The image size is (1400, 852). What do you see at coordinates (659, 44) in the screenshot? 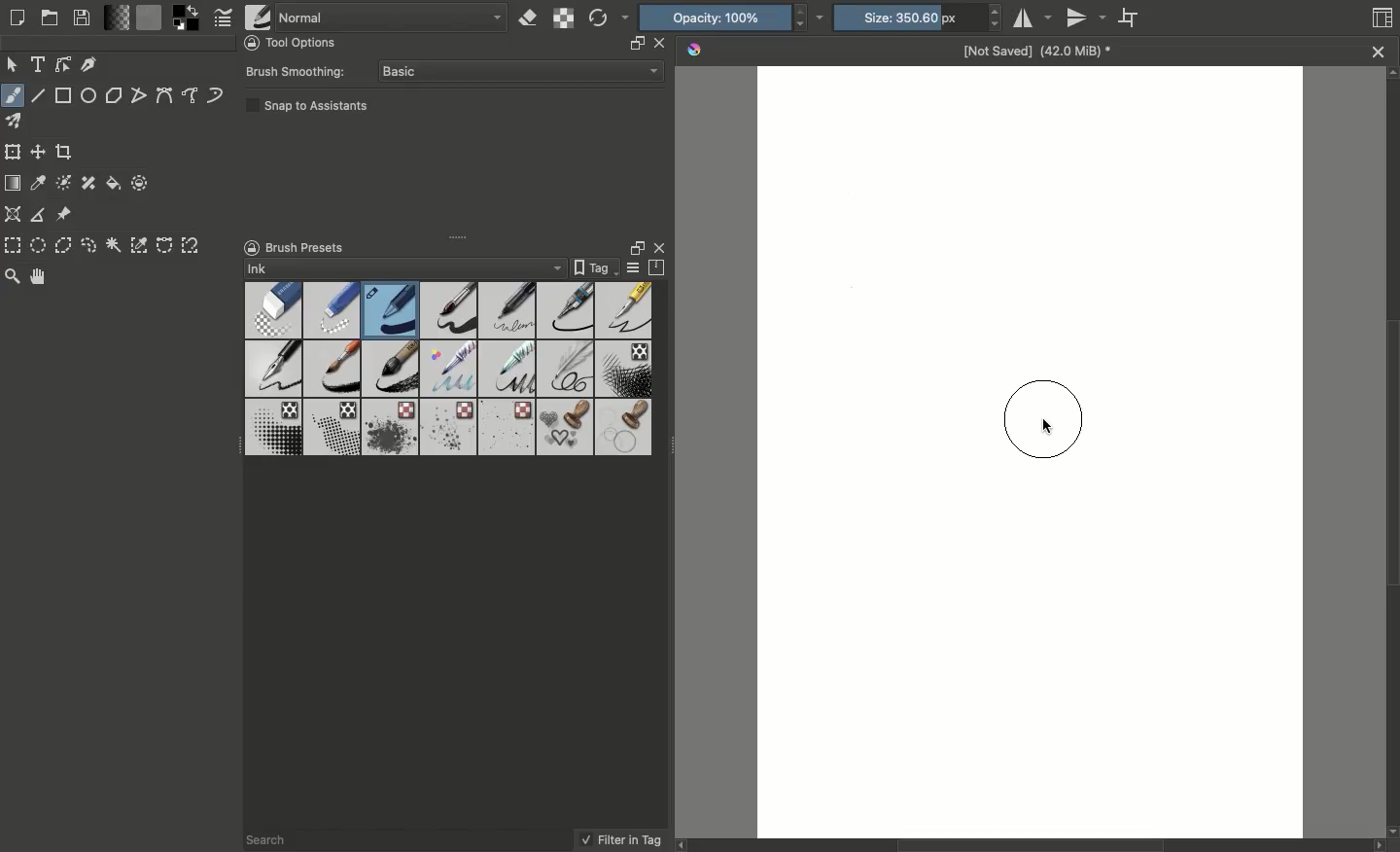
I see `close` at bounding box center [659, 44].